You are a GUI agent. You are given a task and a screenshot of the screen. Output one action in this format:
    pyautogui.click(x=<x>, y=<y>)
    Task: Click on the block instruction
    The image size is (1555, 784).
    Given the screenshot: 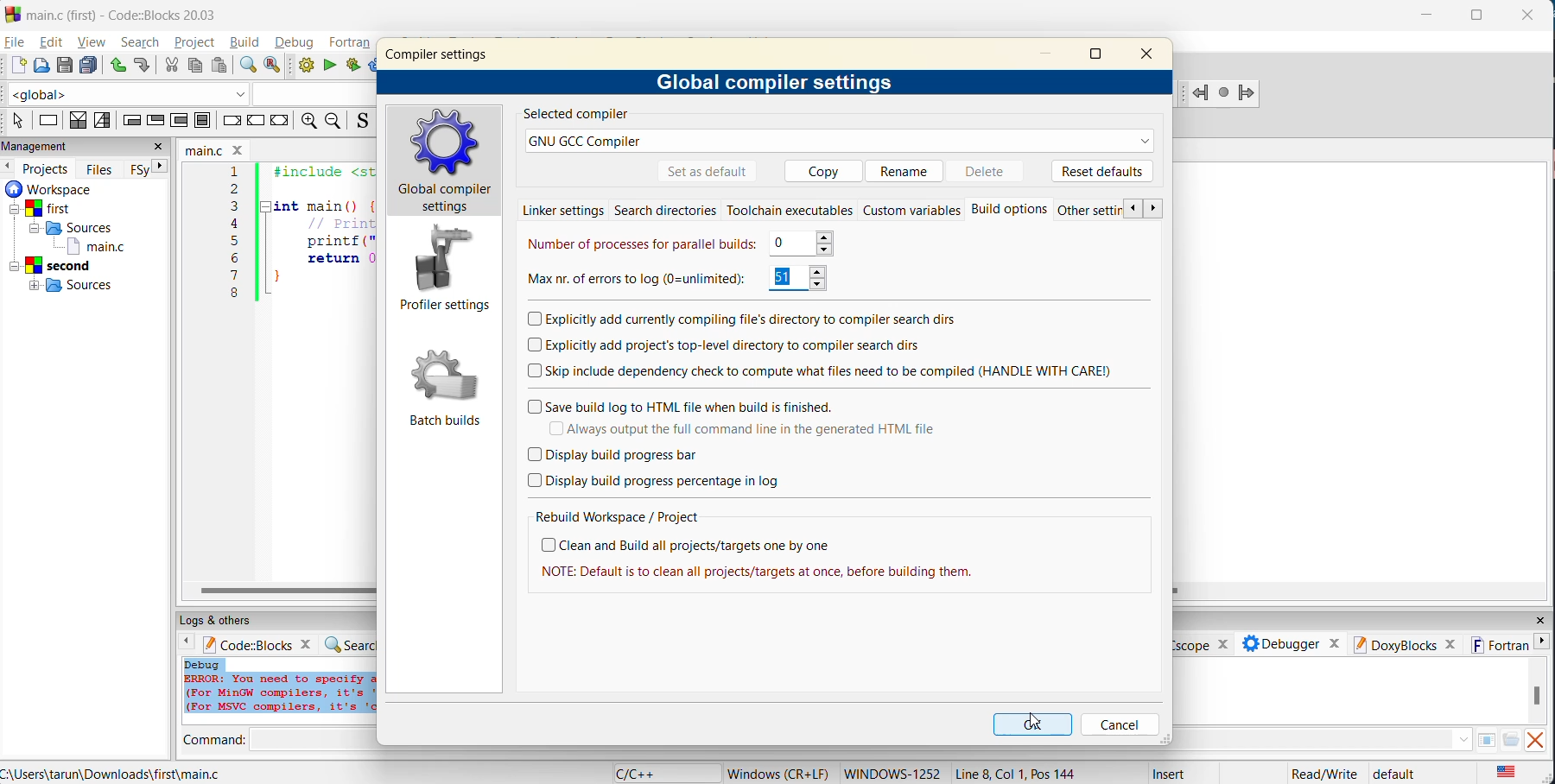 What is the action you would take?
    pyautogui.click(x=202, y=121)
    